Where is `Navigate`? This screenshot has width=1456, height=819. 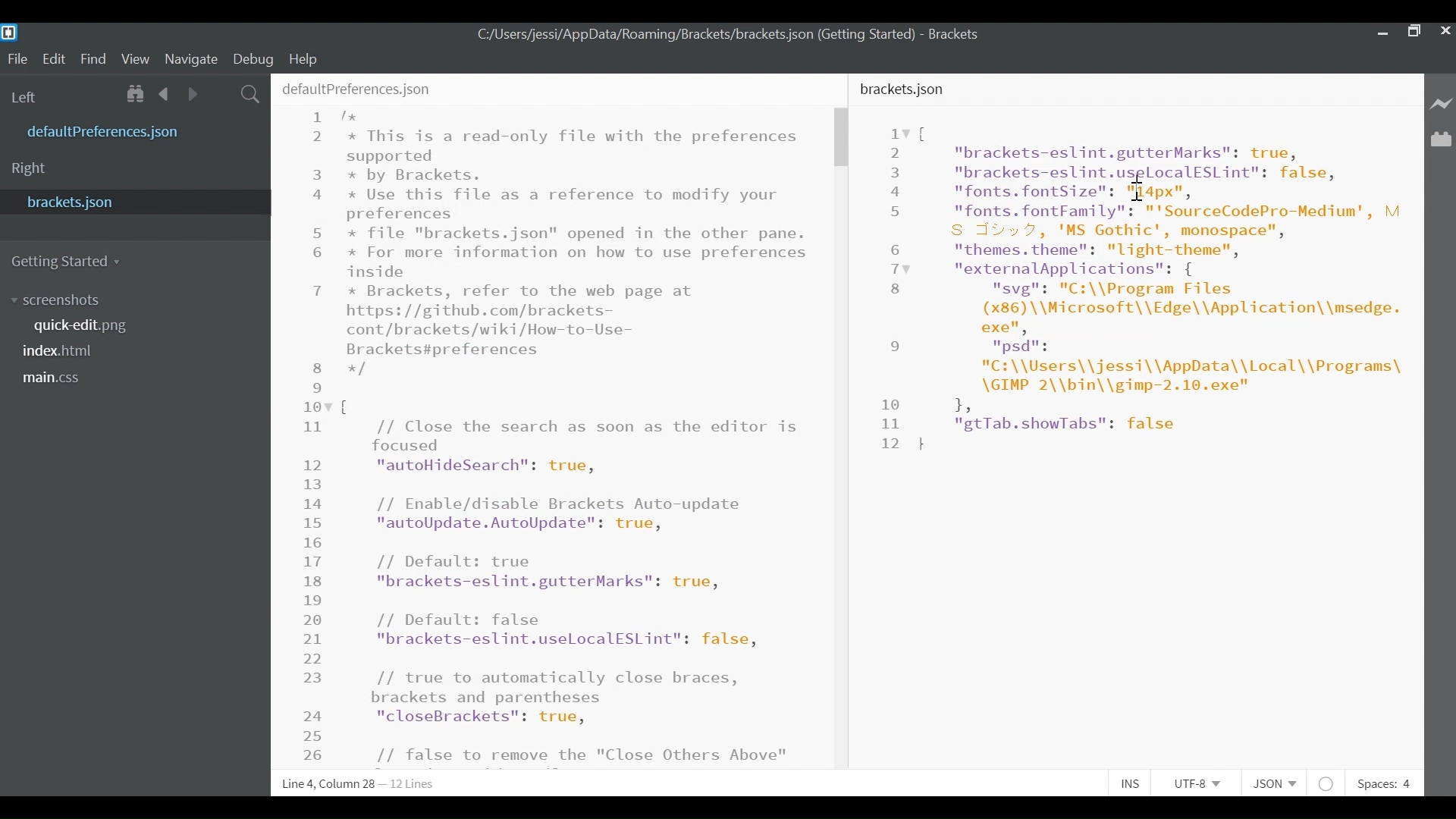 Navigate is located at coordinates (193, 58).